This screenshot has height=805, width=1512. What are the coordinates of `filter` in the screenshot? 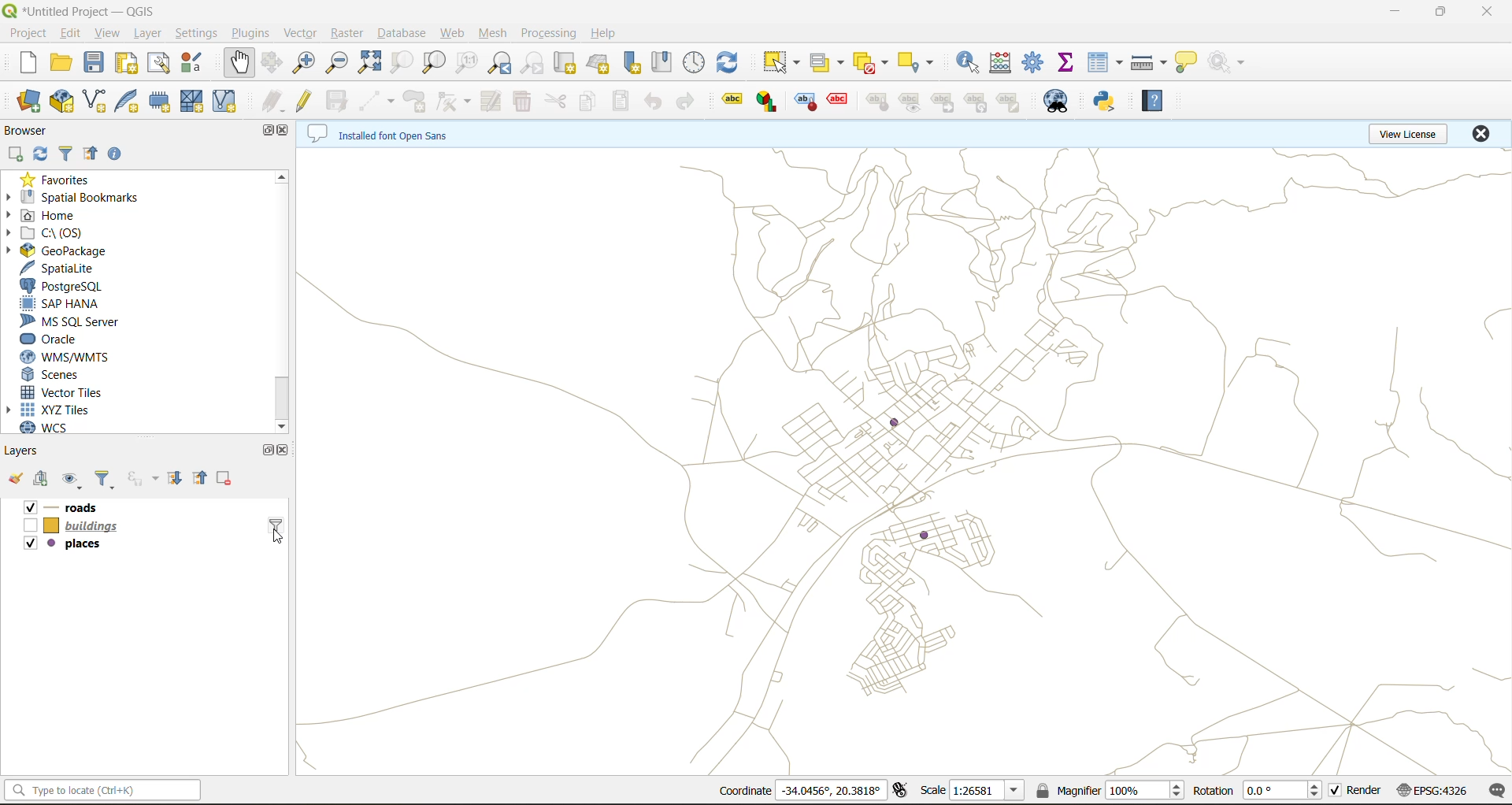 It's located at (66, 151).